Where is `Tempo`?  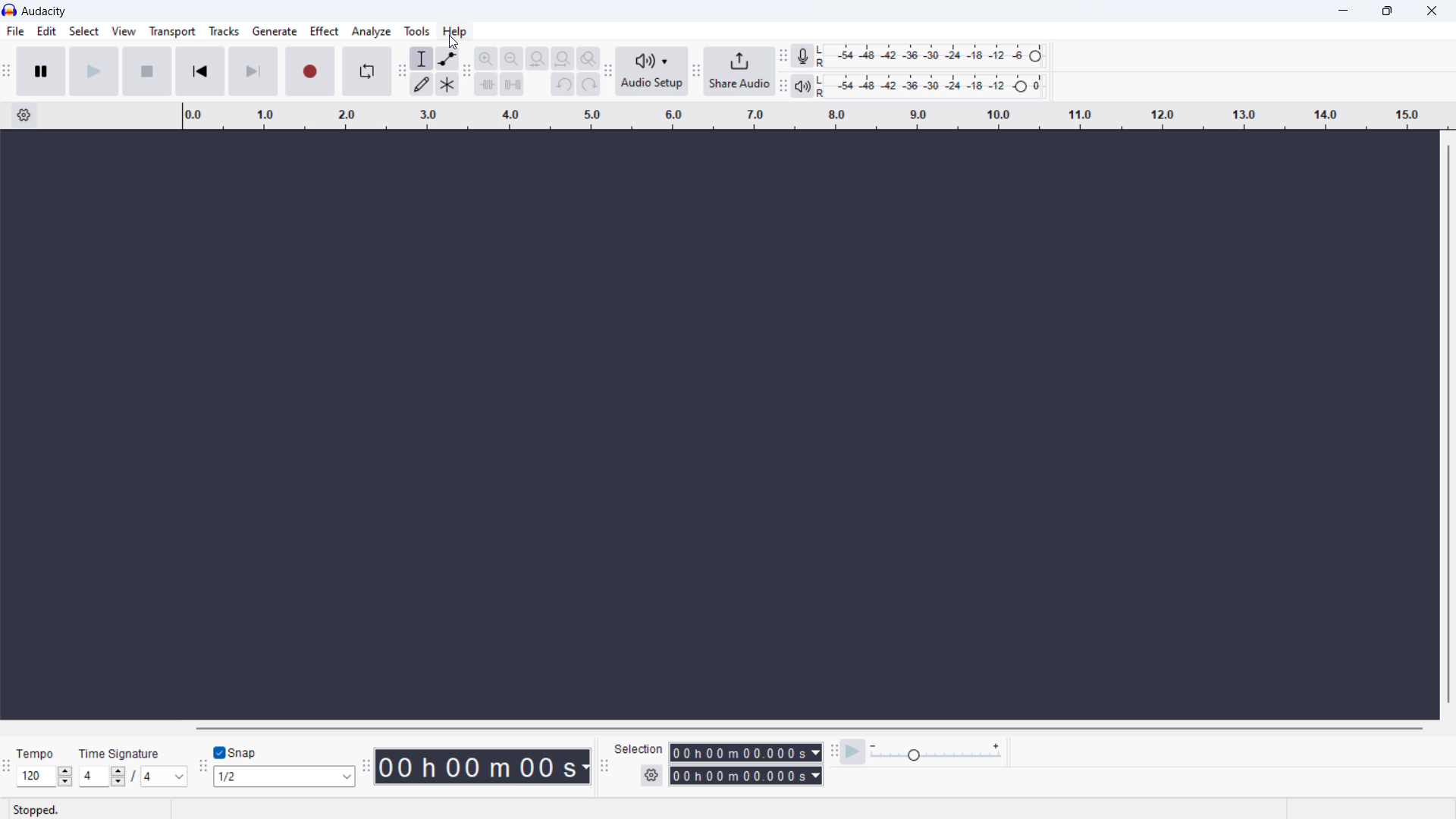
Tempo is located at coordinates (36, 753).